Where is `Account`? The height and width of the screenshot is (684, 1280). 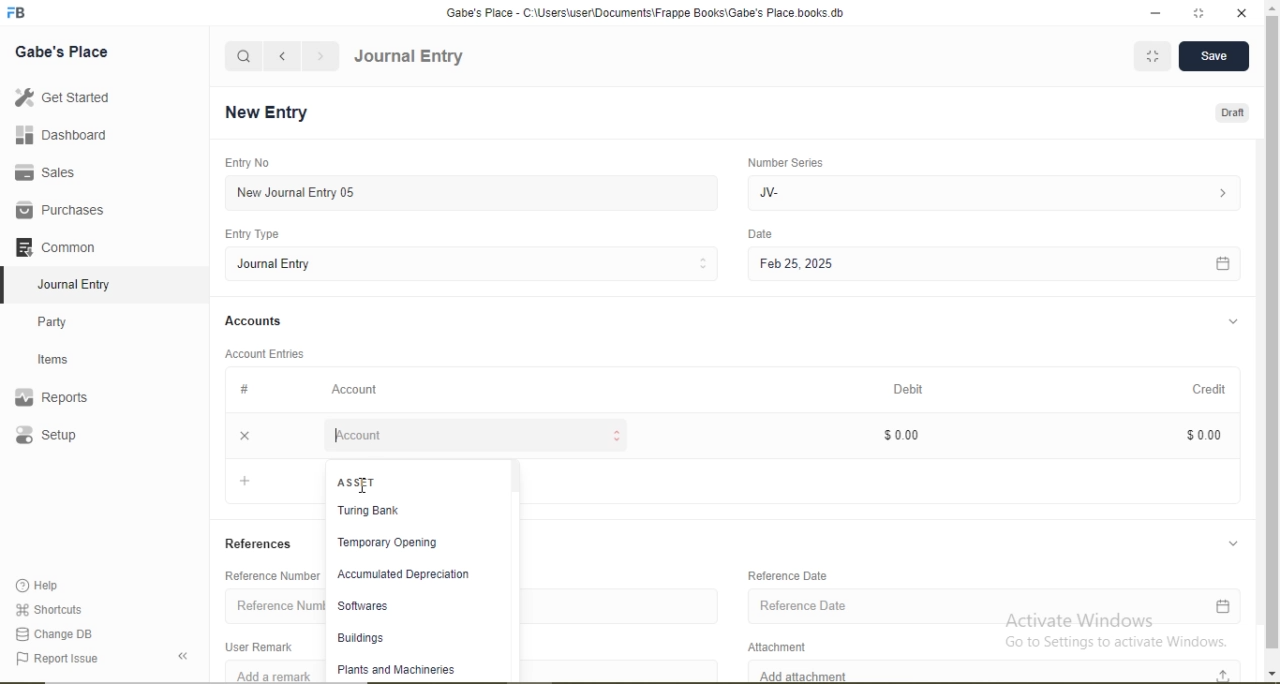 Account is located at coordinates (357, 389).